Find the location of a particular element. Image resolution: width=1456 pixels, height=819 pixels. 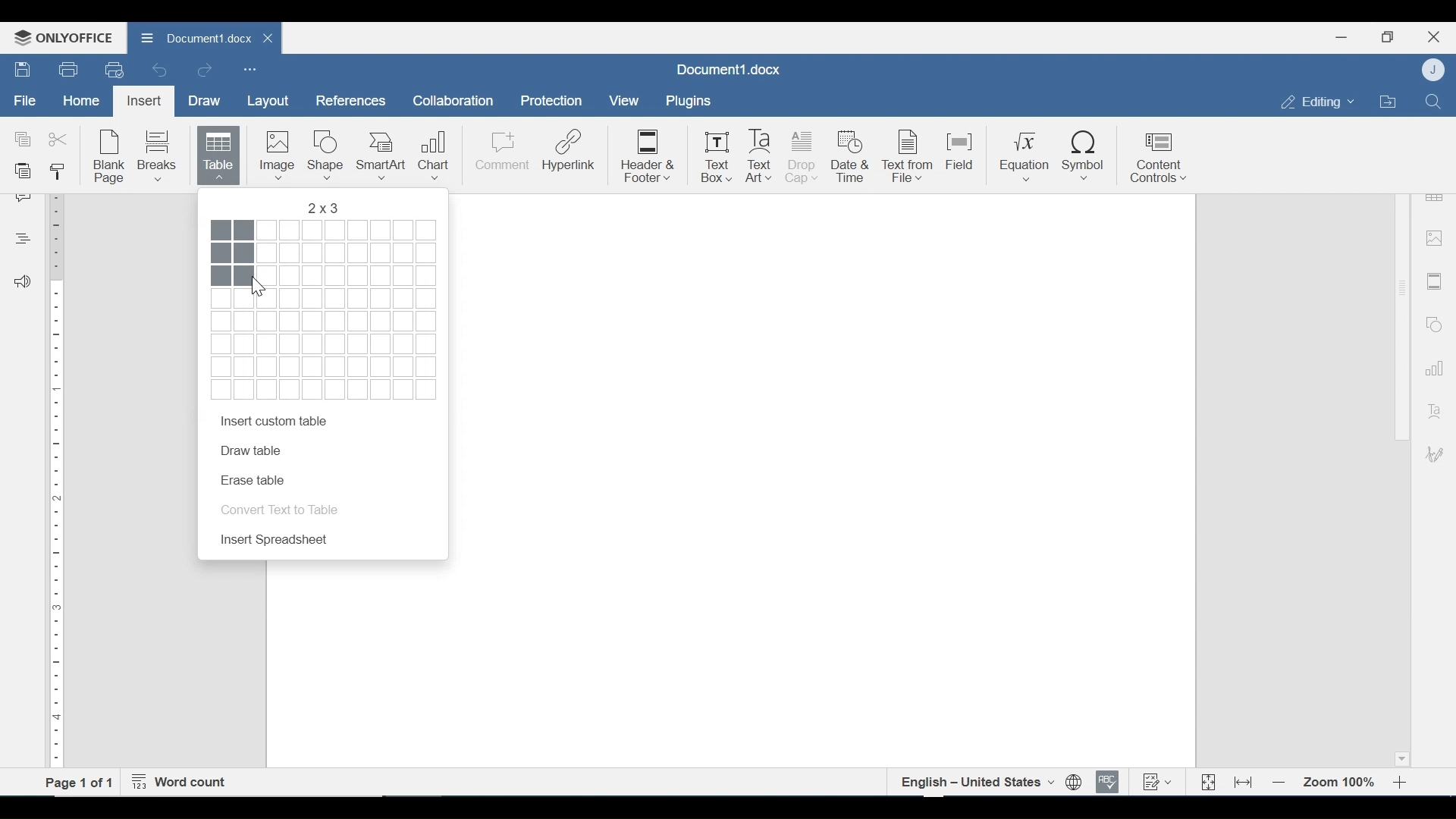

Zoom in is located at coordinates (1403, 783).